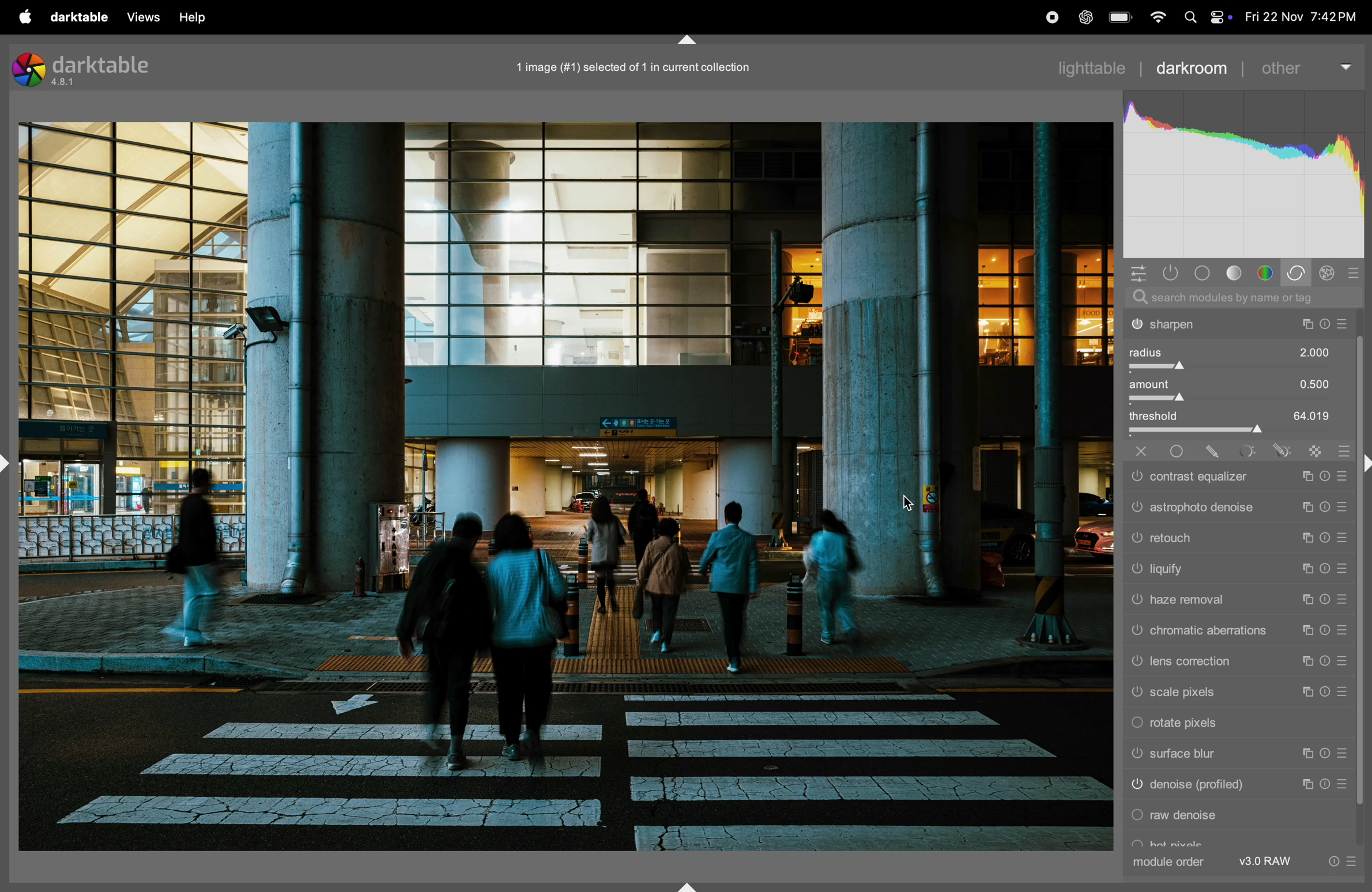 The width and height of the screenshot is (1372, 892). What do you see at coordinates (687, 885) in the screenshot?
I see `shift+ctrl+b` at bounding box center [687, 885].